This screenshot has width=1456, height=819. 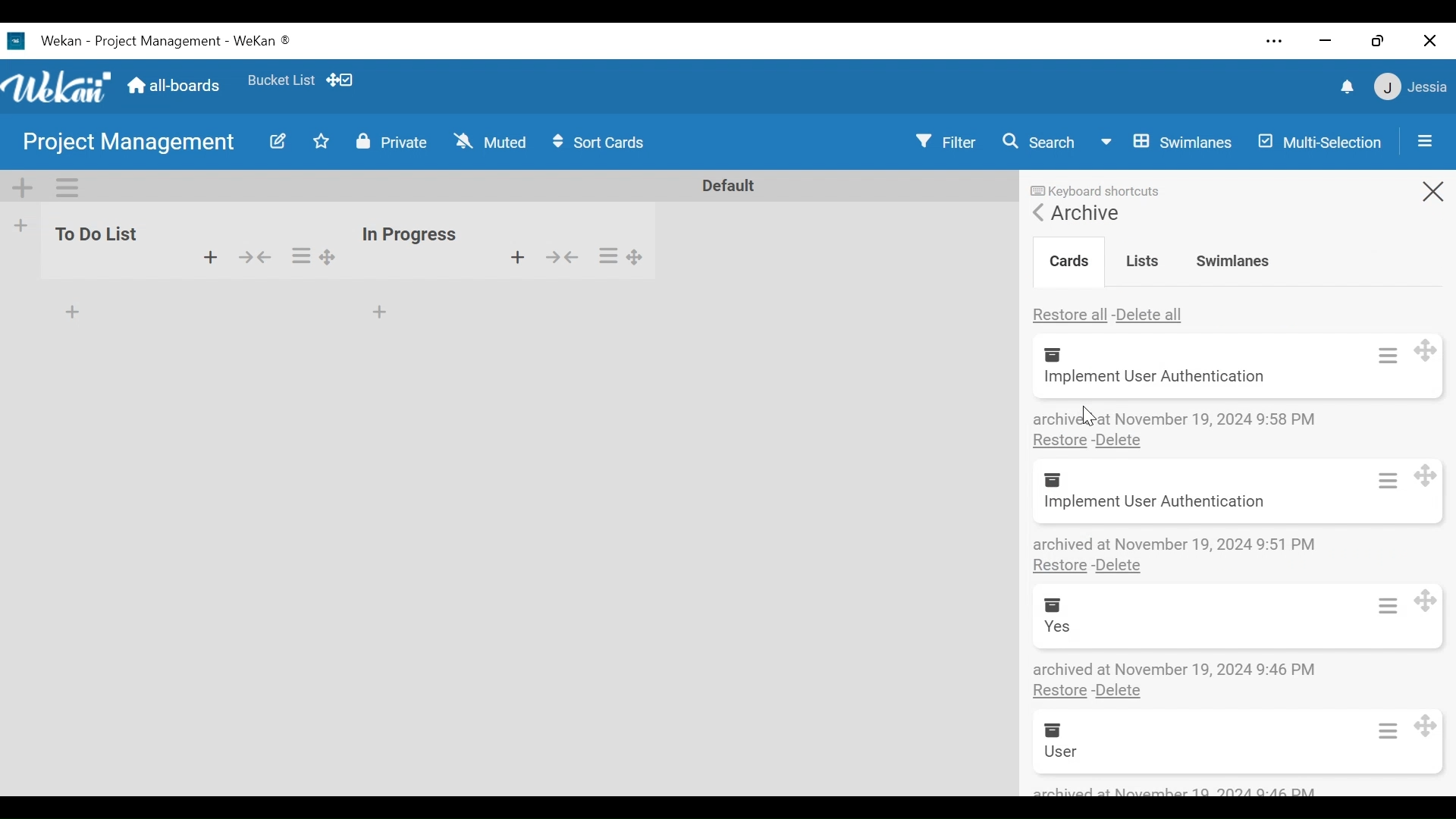 What do you see at coordinates (724, 185) in the screenshot?
I see `Default` at bounding box center [724, 185].